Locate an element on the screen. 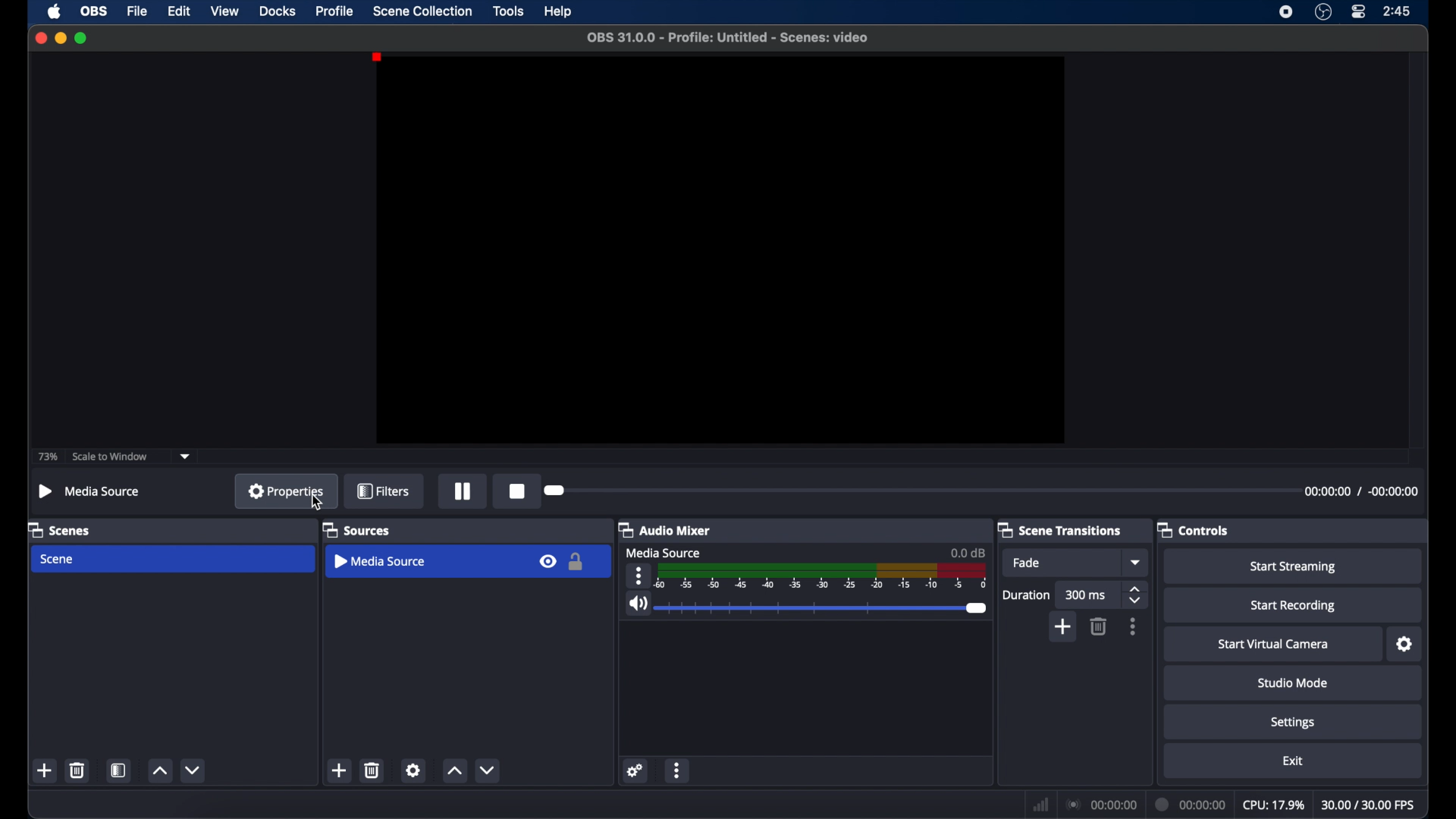 Image resolution: width=1456 pixels, height=819 pixels. duration is located at coordinates (1361, 491).